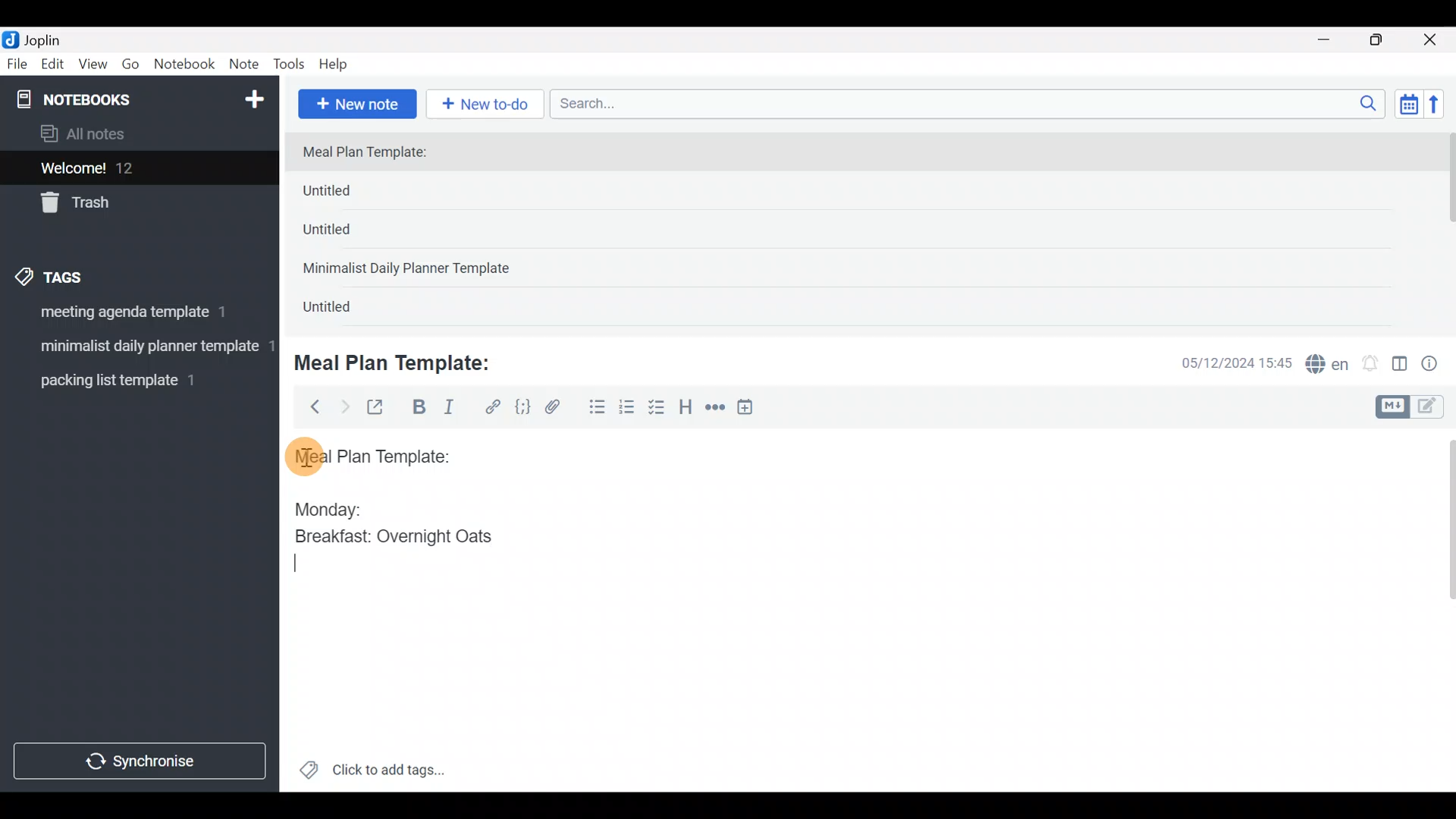 The height and width of the screenshot is (819, 1456). What do you see at coordinates (1440, 610) in the screenshot?
I see `Scroll bar` at bounding box center [1440, 610].